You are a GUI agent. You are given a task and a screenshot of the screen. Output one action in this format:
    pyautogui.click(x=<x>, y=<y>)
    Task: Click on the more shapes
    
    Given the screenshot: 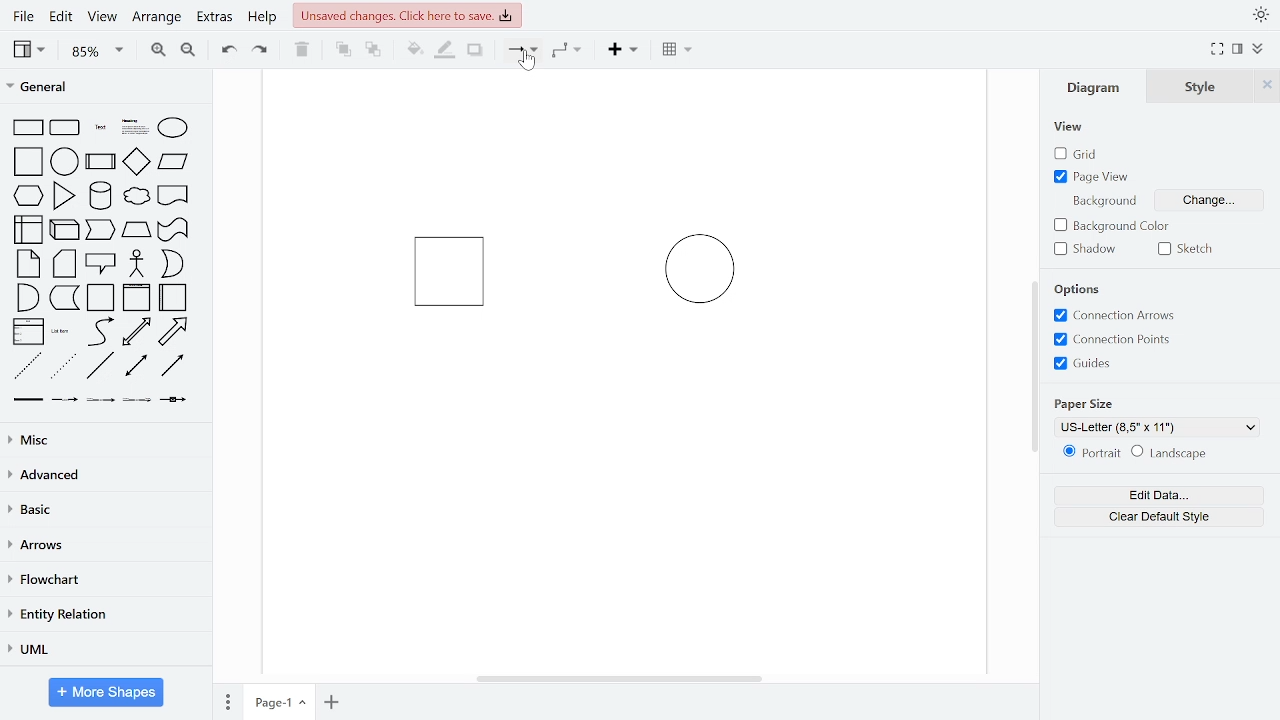 What is the action you would take?
    pyautogui.click(x=107, y=694)
    